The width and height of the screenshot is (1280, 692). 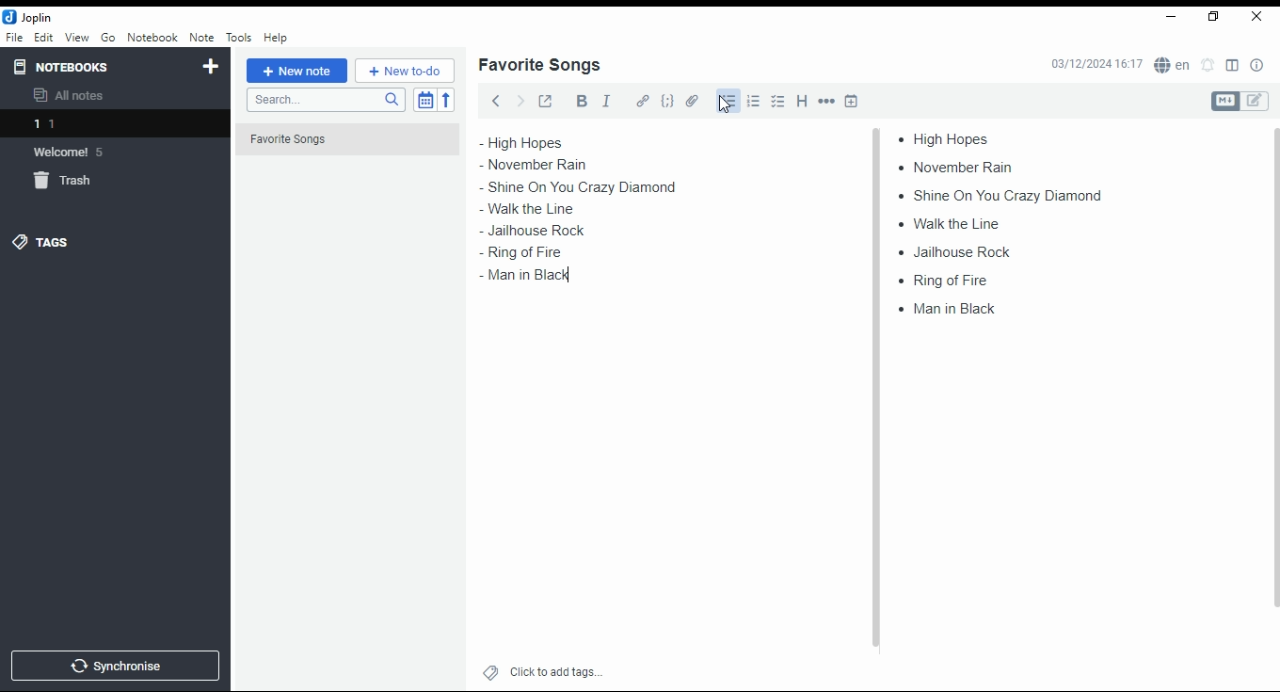 What do you see at coordinates (852, 100) in the screenshot?
I see `insert time` at bounding box center [852, 100].